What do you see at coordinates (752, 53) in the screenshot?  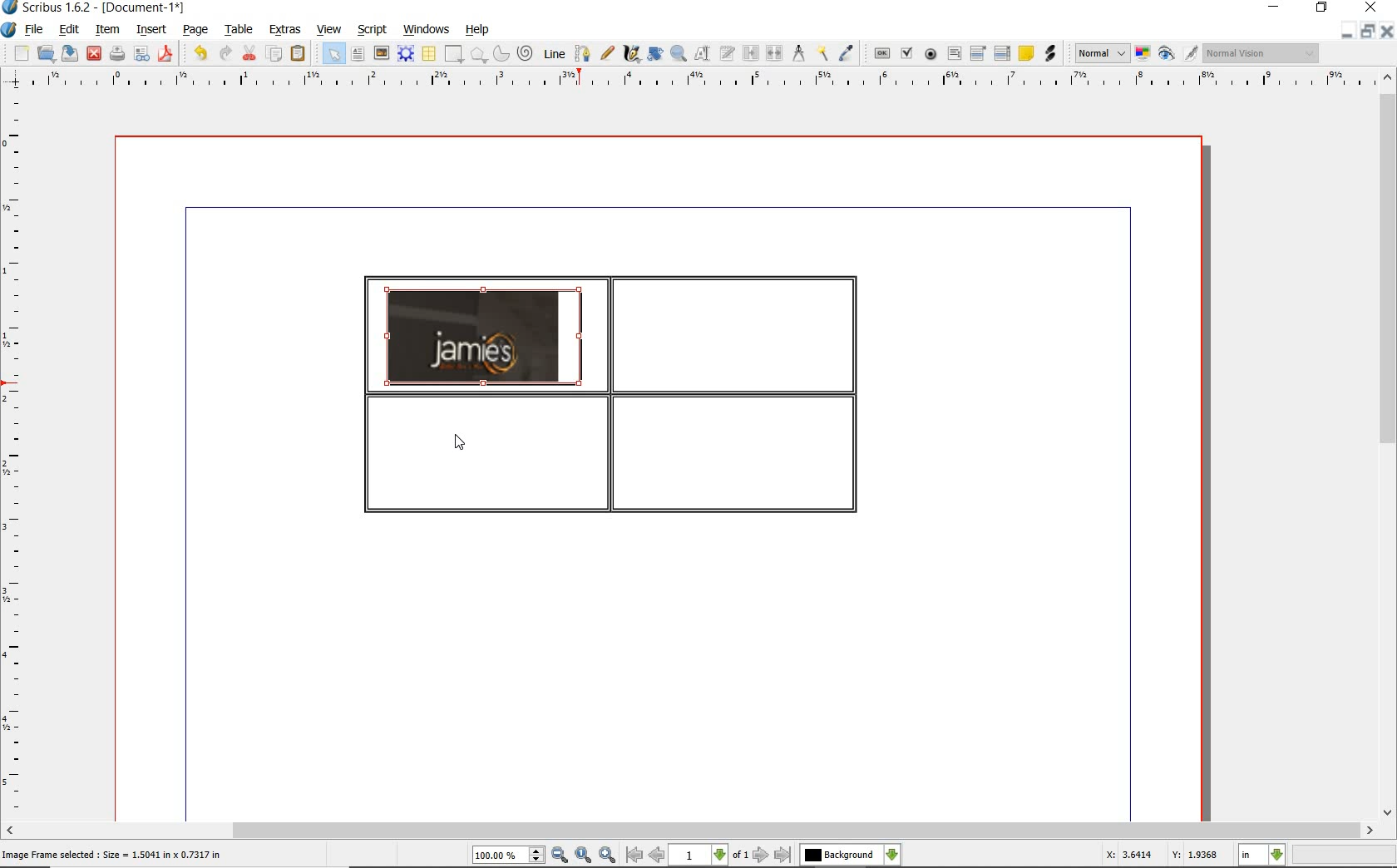 I see `link text frames` at bounding box center [752, 53].